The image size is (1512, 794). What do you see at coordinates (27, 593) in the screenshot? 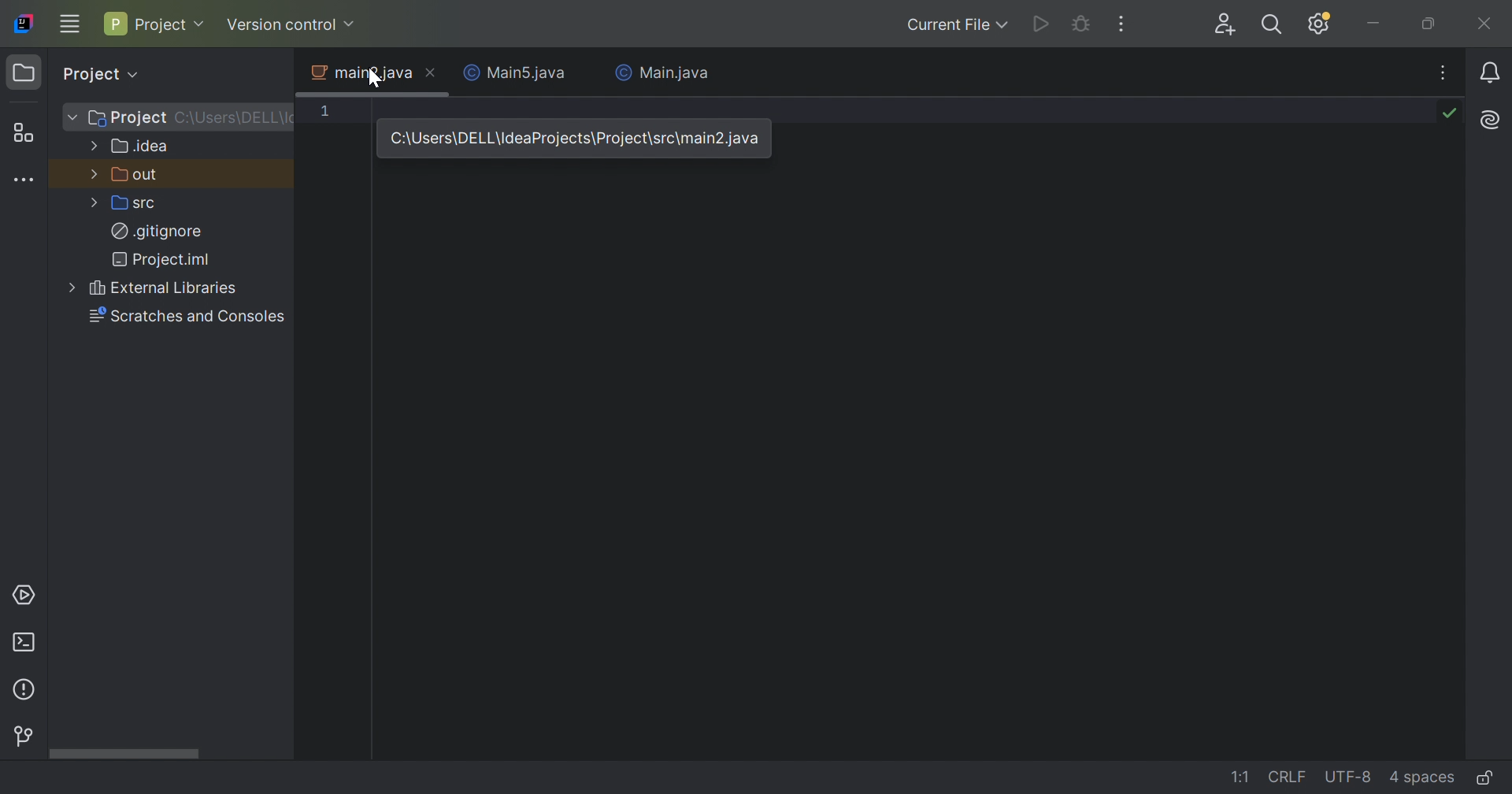
I see `Services` at bounding box center [27, 593].